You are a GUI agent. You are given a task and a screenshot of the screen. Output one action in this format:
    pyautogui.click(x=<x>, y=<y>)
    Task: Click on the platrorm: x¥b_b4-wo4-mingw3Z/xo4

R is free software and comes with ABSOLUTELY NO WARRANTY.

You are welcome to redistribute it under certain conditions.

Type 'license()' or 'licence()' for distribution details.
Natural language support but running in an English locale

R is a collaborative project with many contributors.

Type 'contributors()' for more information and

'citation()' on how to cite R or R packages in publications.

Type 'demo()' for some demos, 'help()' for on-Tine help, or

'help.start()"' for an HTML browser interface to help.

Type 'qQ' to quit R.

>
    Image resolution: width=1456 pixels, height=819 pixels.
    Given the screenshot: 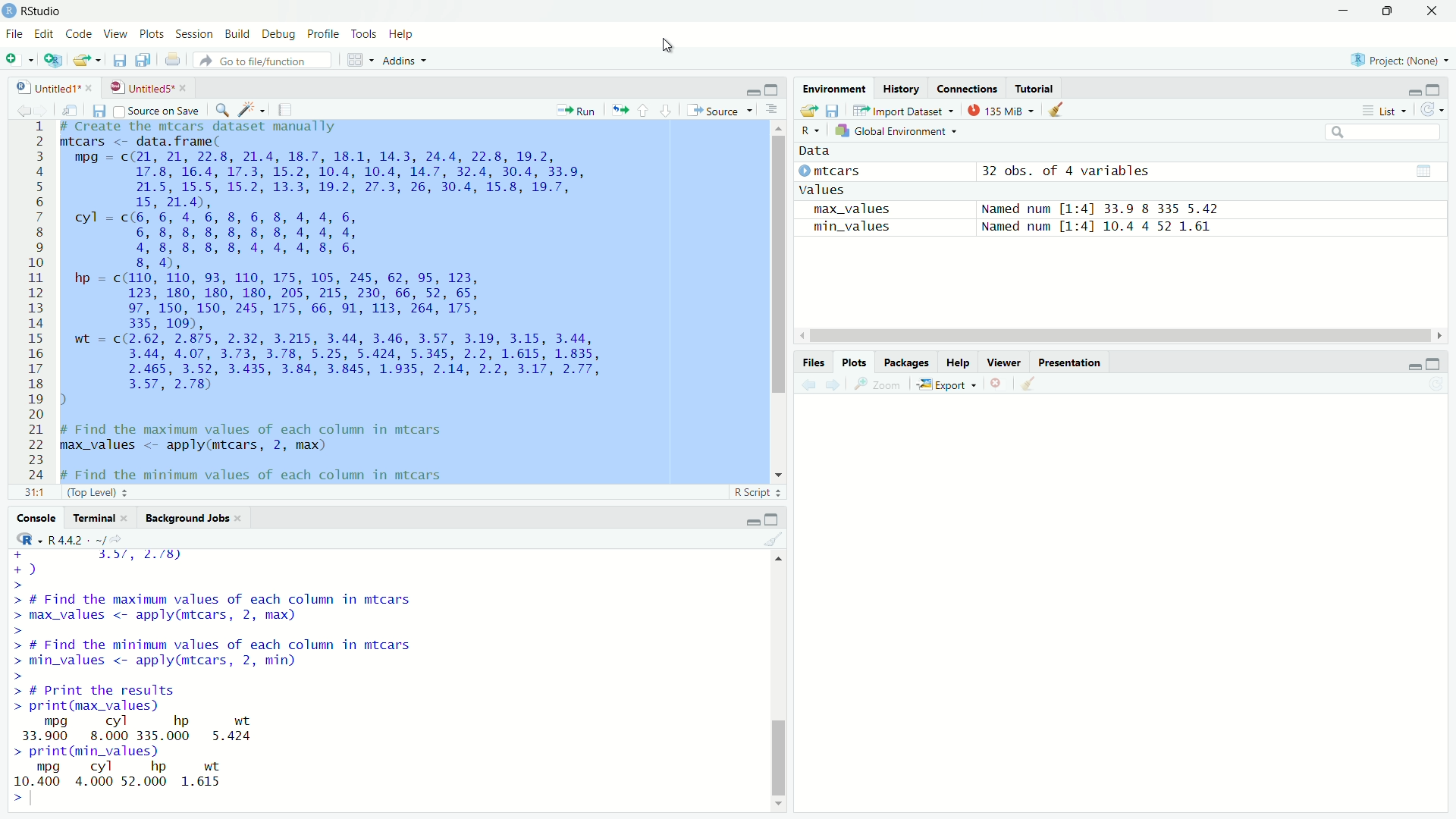 What is the action you would take?
    pyautogui.click(x=287, y=678)
    